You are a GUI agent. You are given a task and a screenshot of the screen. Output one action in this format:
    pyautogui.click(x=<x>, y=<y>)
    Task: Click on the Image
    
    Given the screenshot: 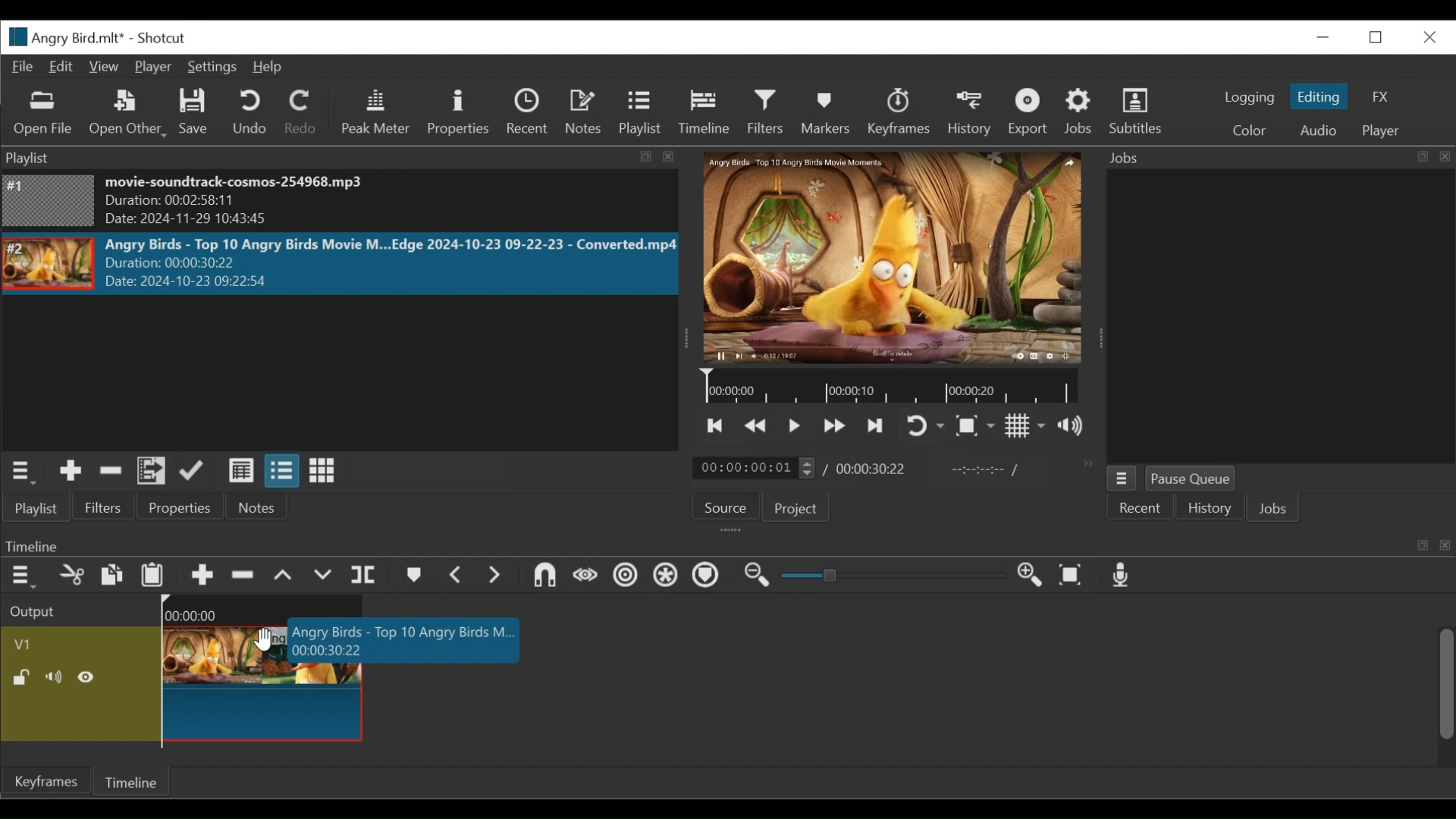 What is the action you would take?
    pyautogui.click(x=49, y=200)
    